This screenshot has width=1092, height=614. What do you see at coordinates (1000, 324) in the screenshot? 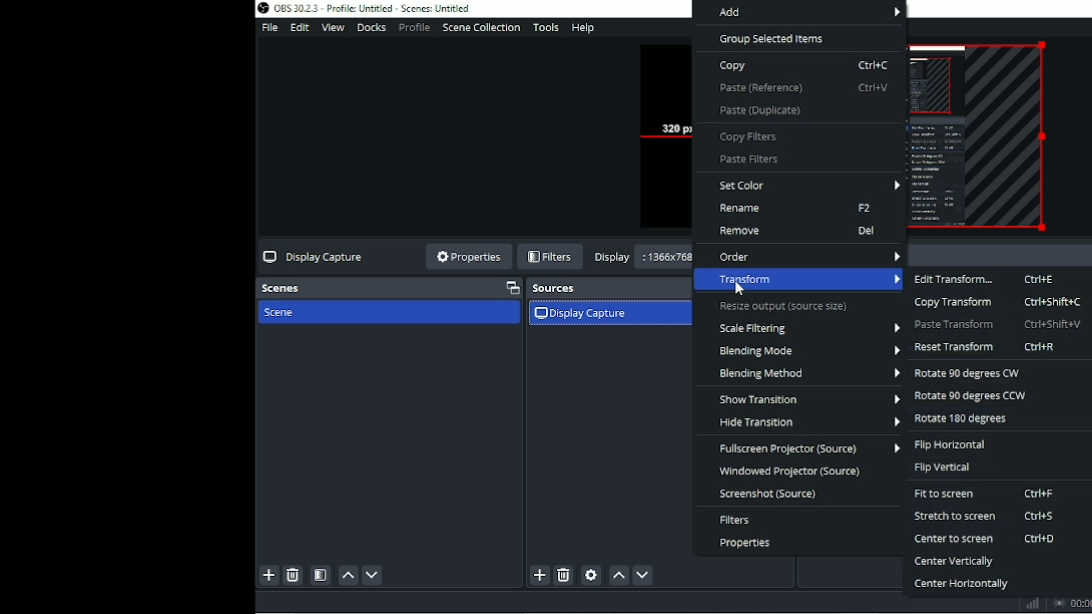
I see `Paste transform` at bounding box center [1000, 324].